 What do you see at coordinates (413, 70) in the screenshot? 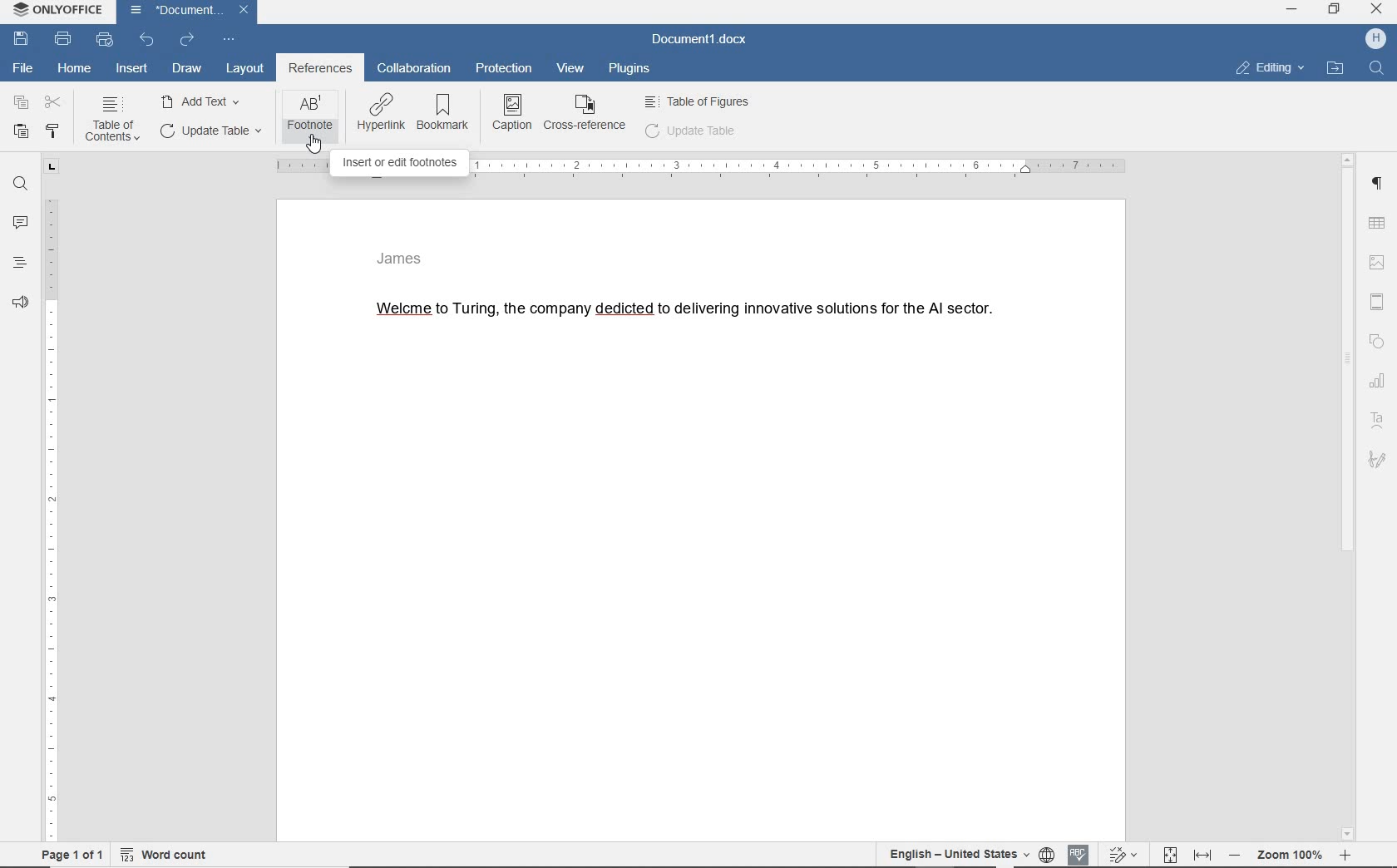
I see `collaboration` at bounding box center [413, 70].